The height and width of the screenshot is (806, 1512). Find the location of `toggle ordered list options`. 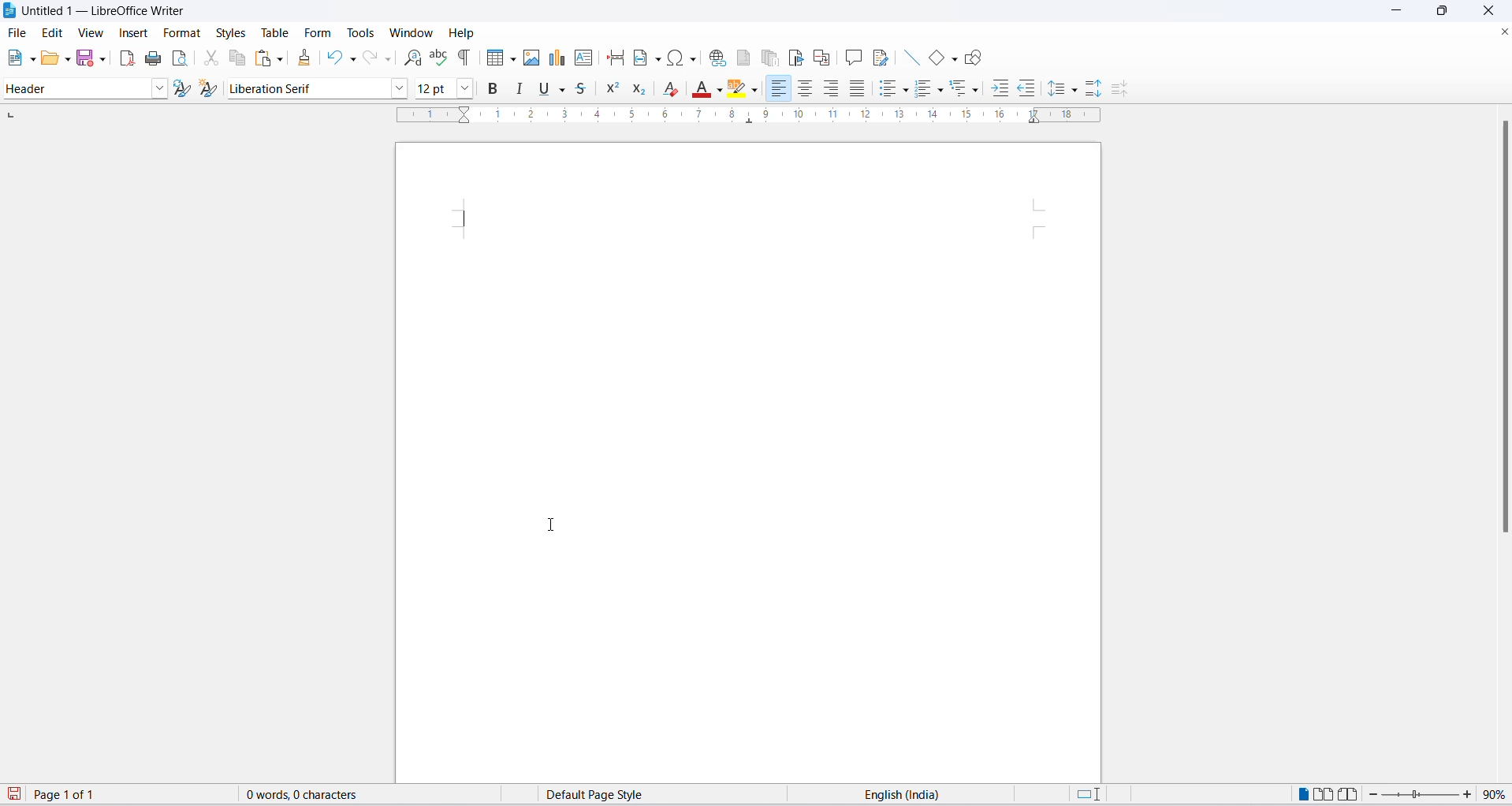

toggle ordered list options is located at coordinates (943, 92).